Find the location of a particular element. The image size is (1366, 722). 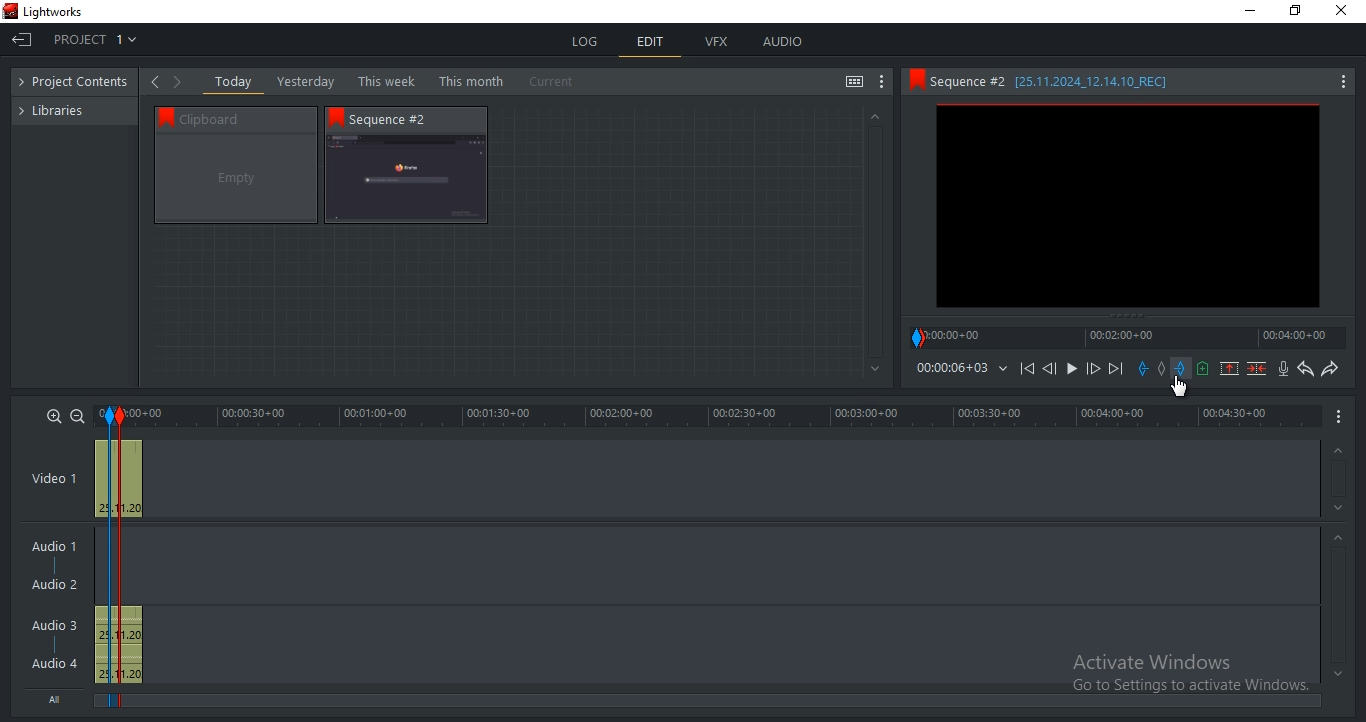

Nudge one frame back is located at coordinates (1053, 371).